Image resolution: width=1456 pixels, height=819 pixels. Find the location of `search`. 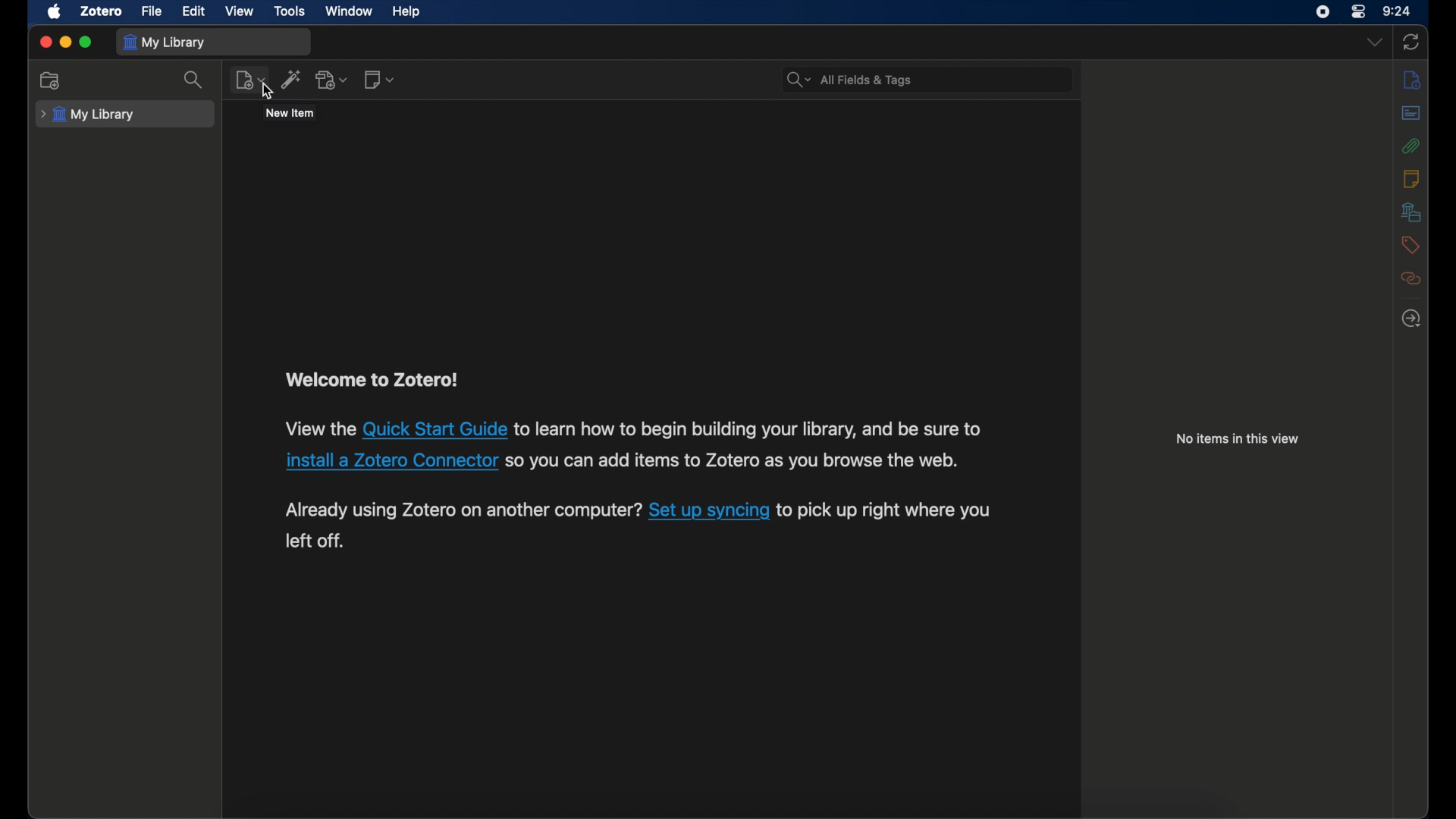

search is located at coordinates (852, 80).